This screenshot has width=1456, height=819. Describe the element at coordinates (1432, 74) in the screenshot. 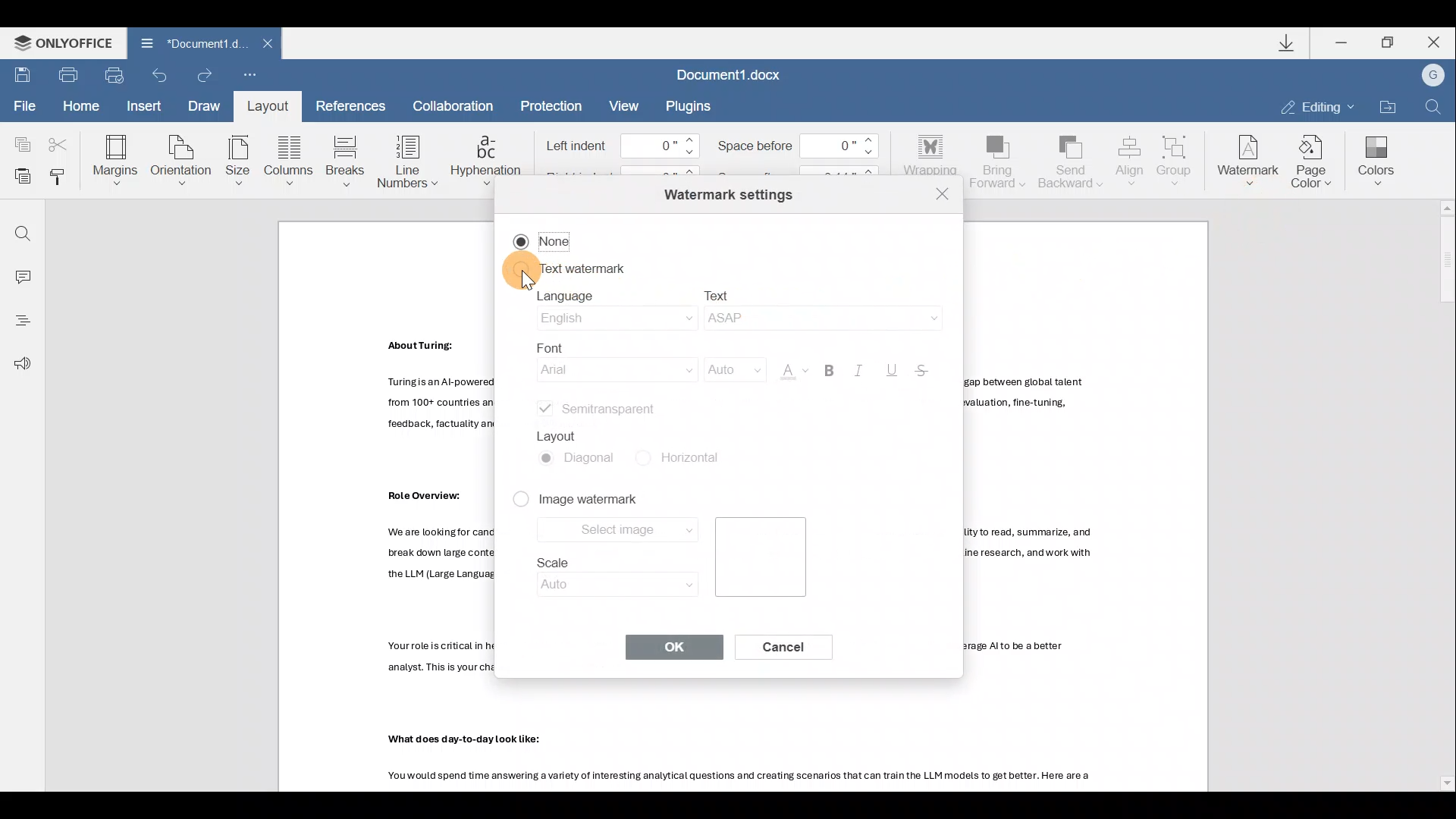

I see `Account name` at that location.